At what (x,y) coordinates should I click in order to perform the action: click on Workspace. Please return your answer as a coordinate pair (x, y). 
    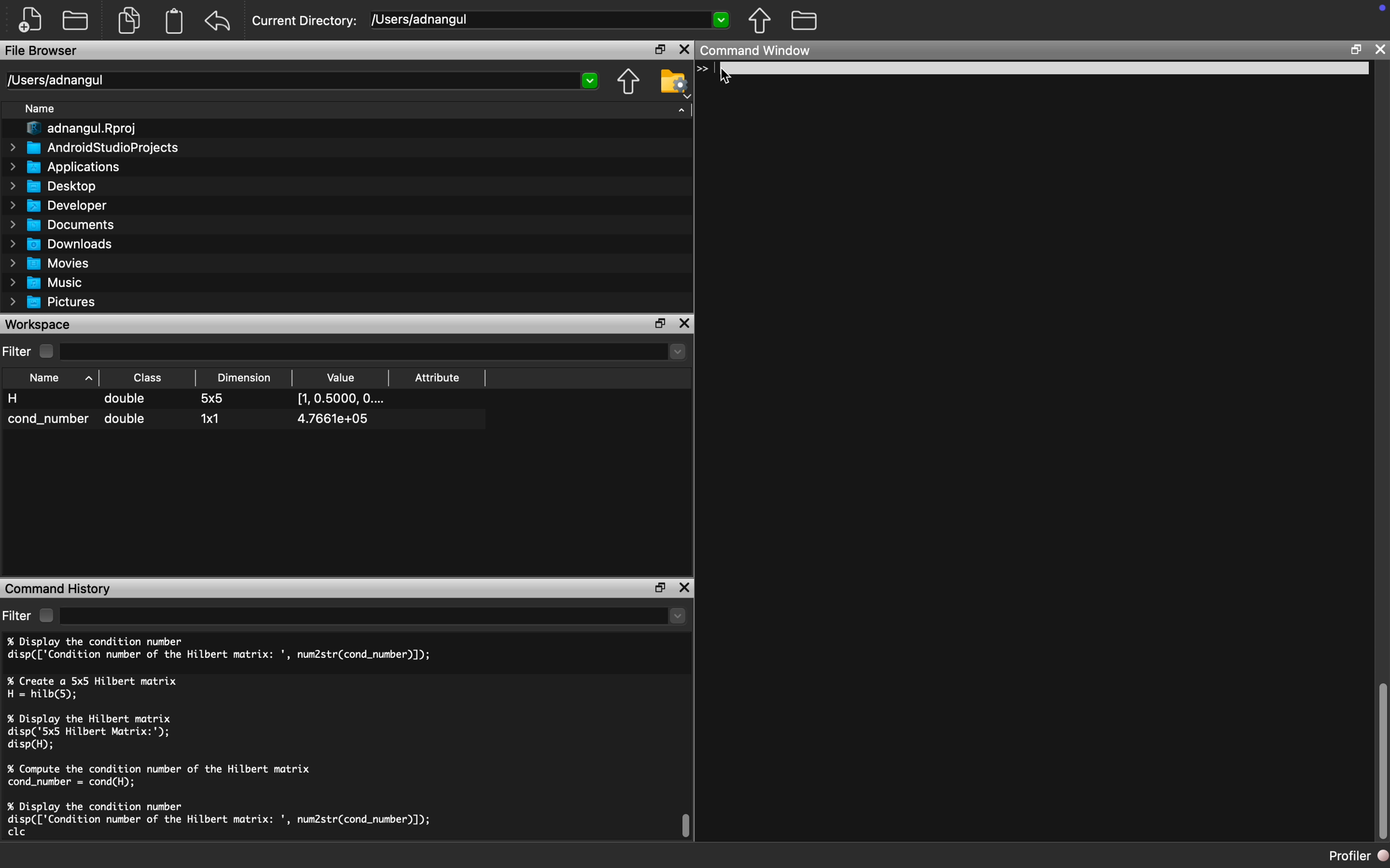
    Looking at the image, I should click on (41, 324).